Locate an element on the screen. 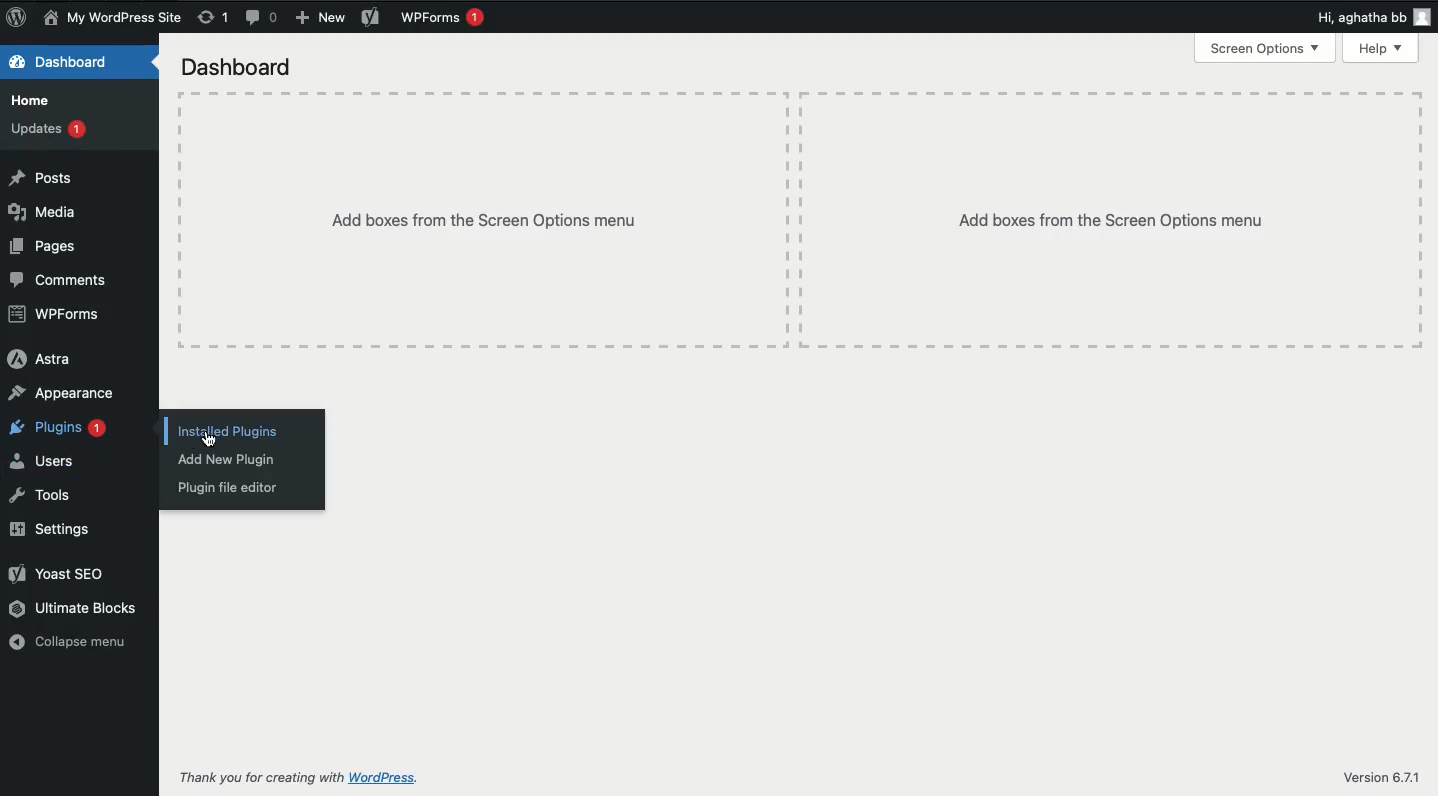 The image size is (1438, 796). Dashboard is located at coordinates (237, 70).